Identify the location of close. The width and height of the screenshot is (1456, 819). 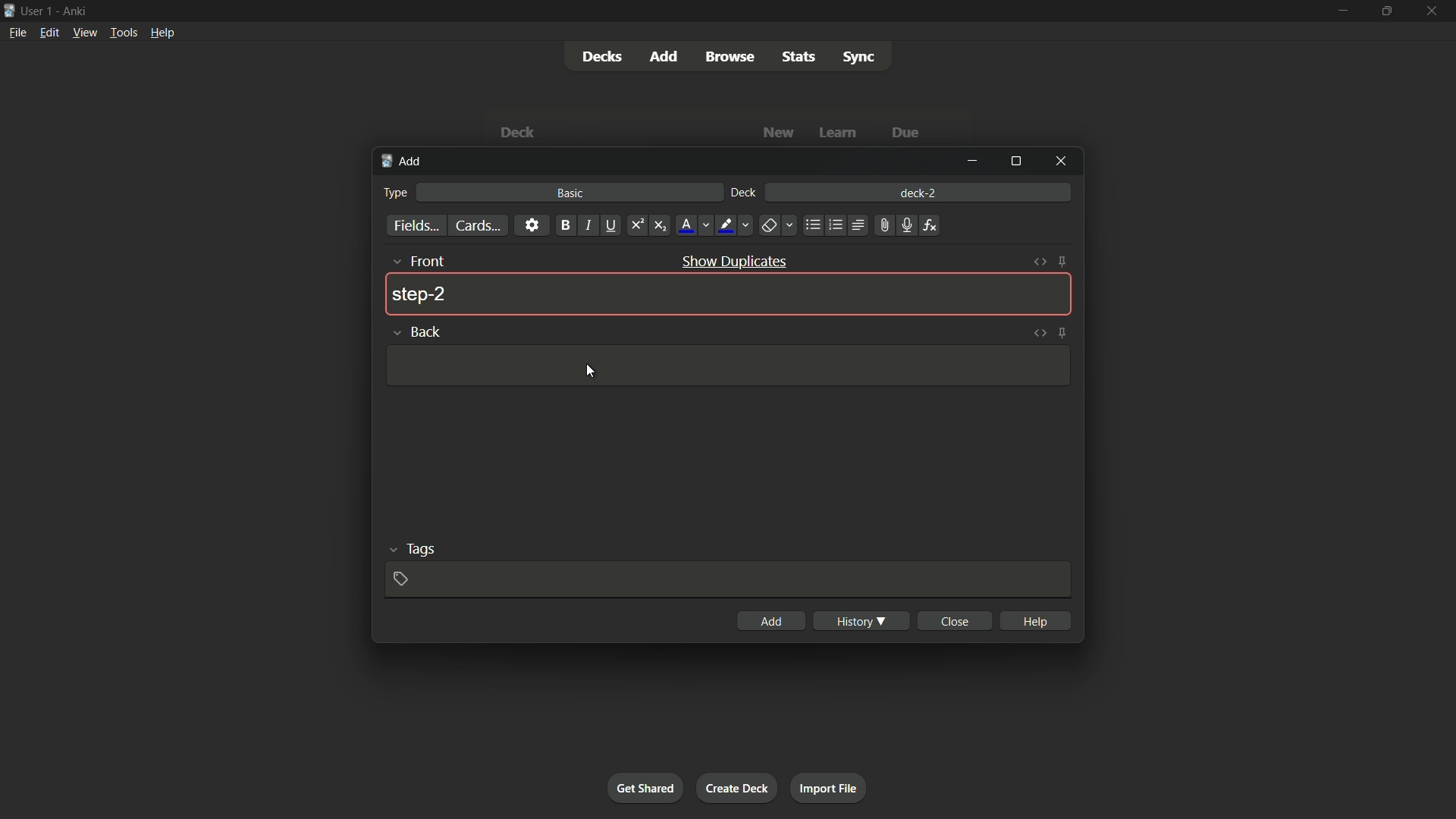
(954, 621).